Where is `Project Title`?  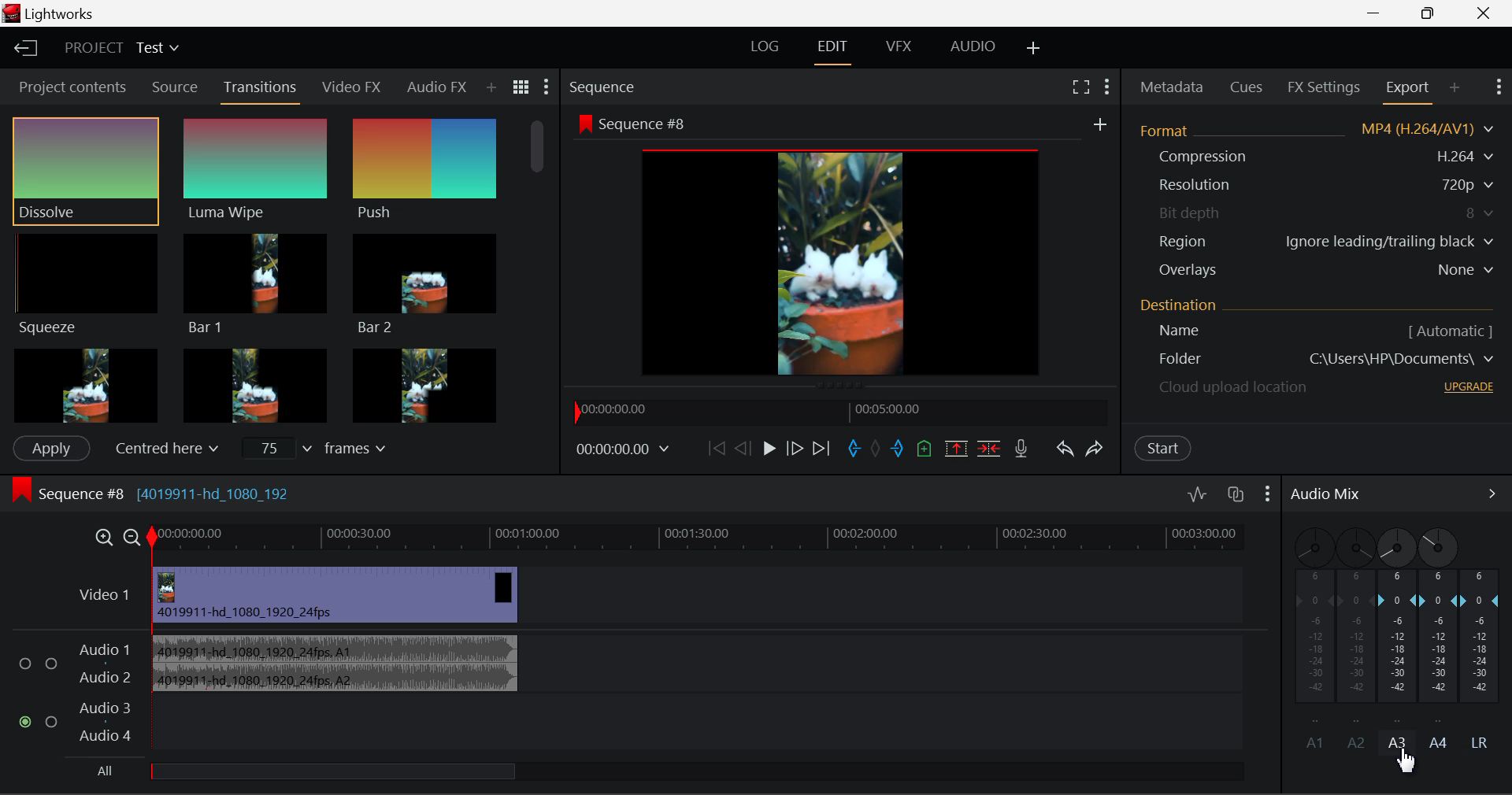 Project Title is located at coordinates (120, 46).